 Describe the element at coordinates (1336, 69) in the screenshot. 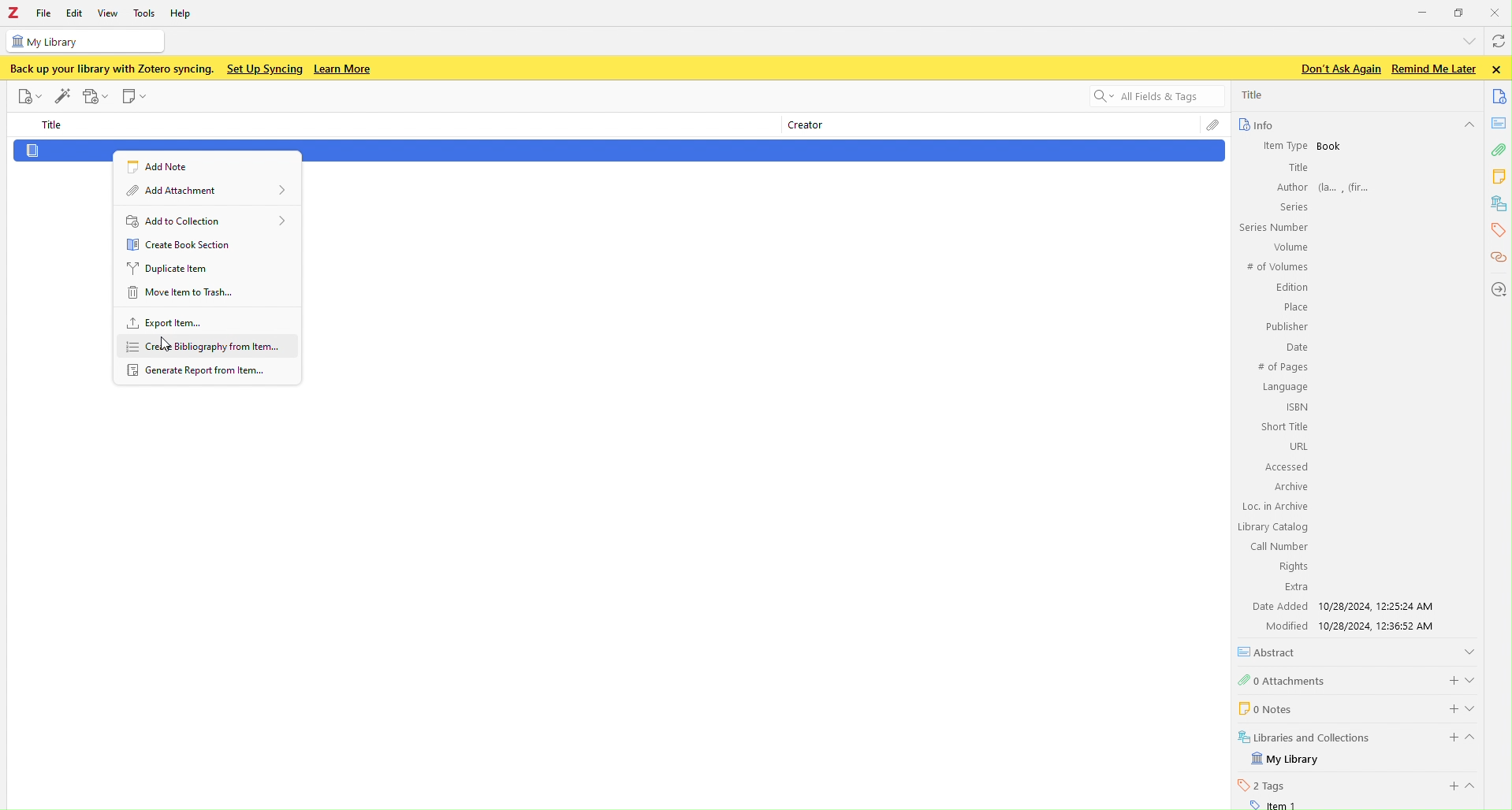

I see `Don’t Ask Again` at that location.